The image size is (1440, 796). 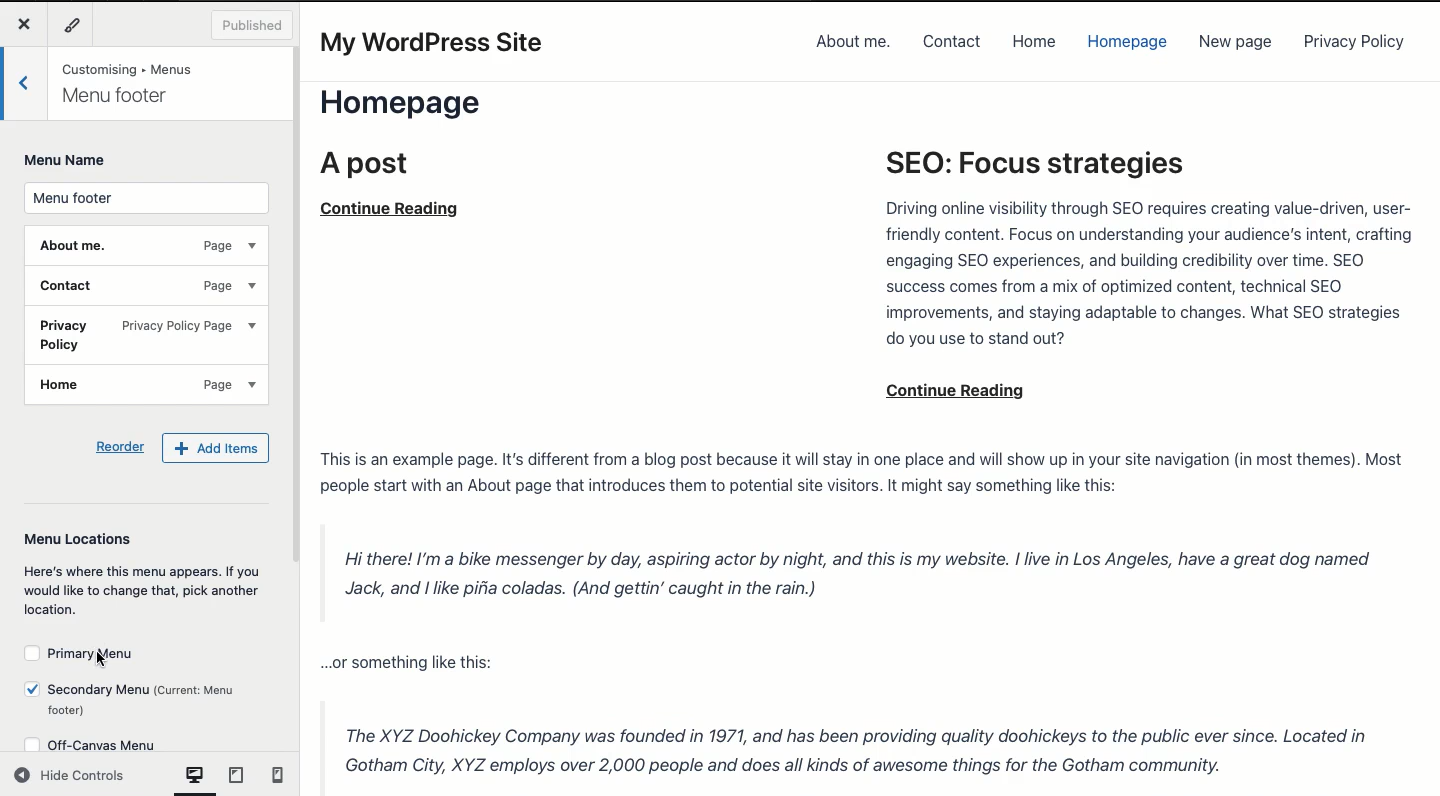 I want to click on You are customizing , so click(x=139, y=82).